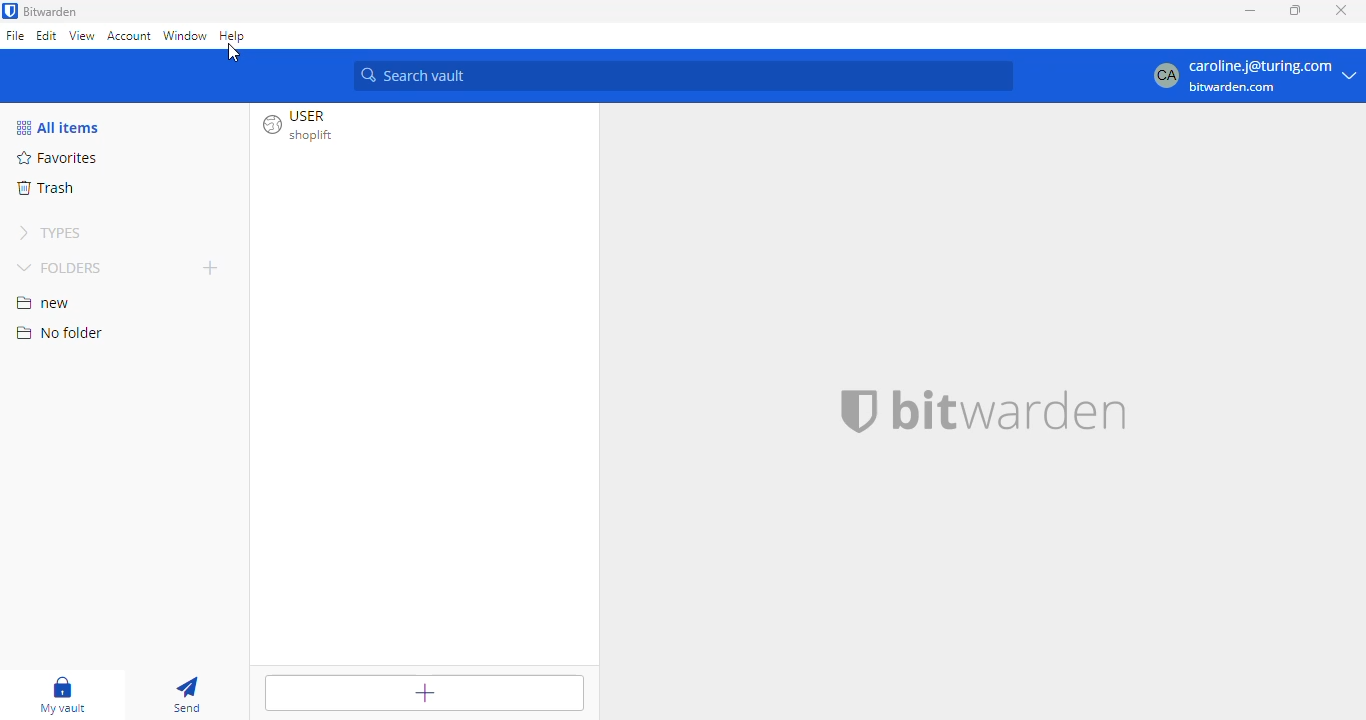  Describe the element at coordinates (63, 695) in the screenshot. I see `my vault` at that location.